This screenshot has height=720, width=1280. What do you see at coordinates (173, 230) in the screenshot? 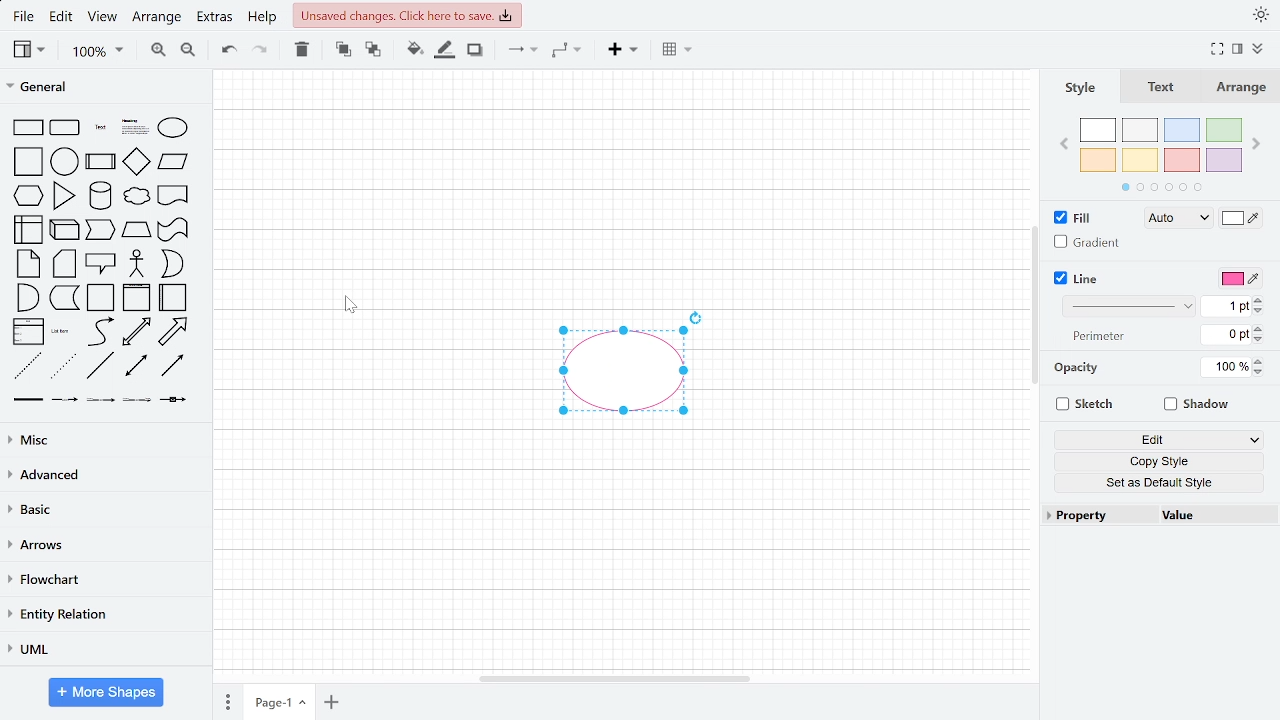
I see `tape` at bounding box center [173, 230].